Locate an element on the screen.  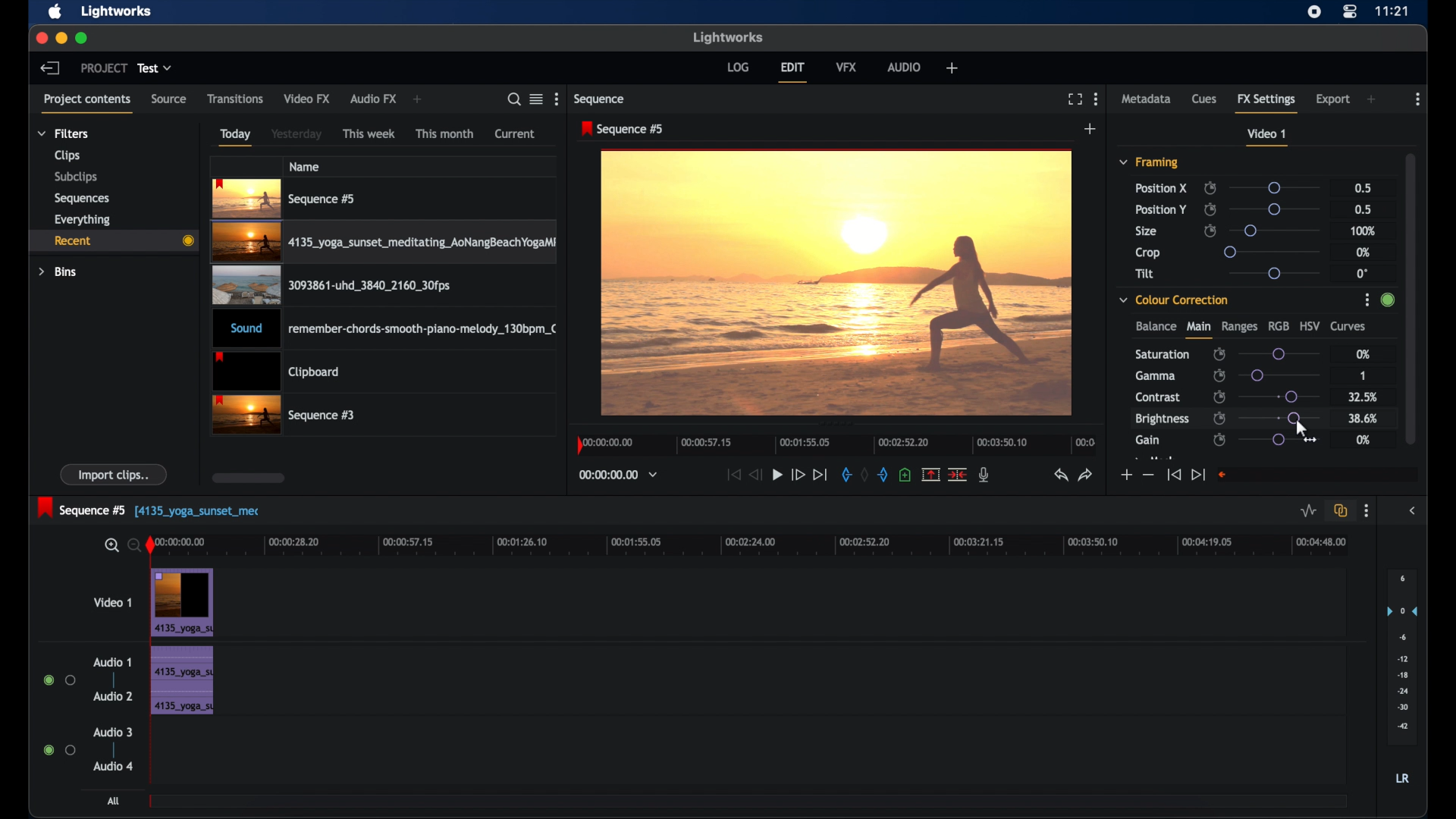
fast forward is located at coordinates (797, 474).